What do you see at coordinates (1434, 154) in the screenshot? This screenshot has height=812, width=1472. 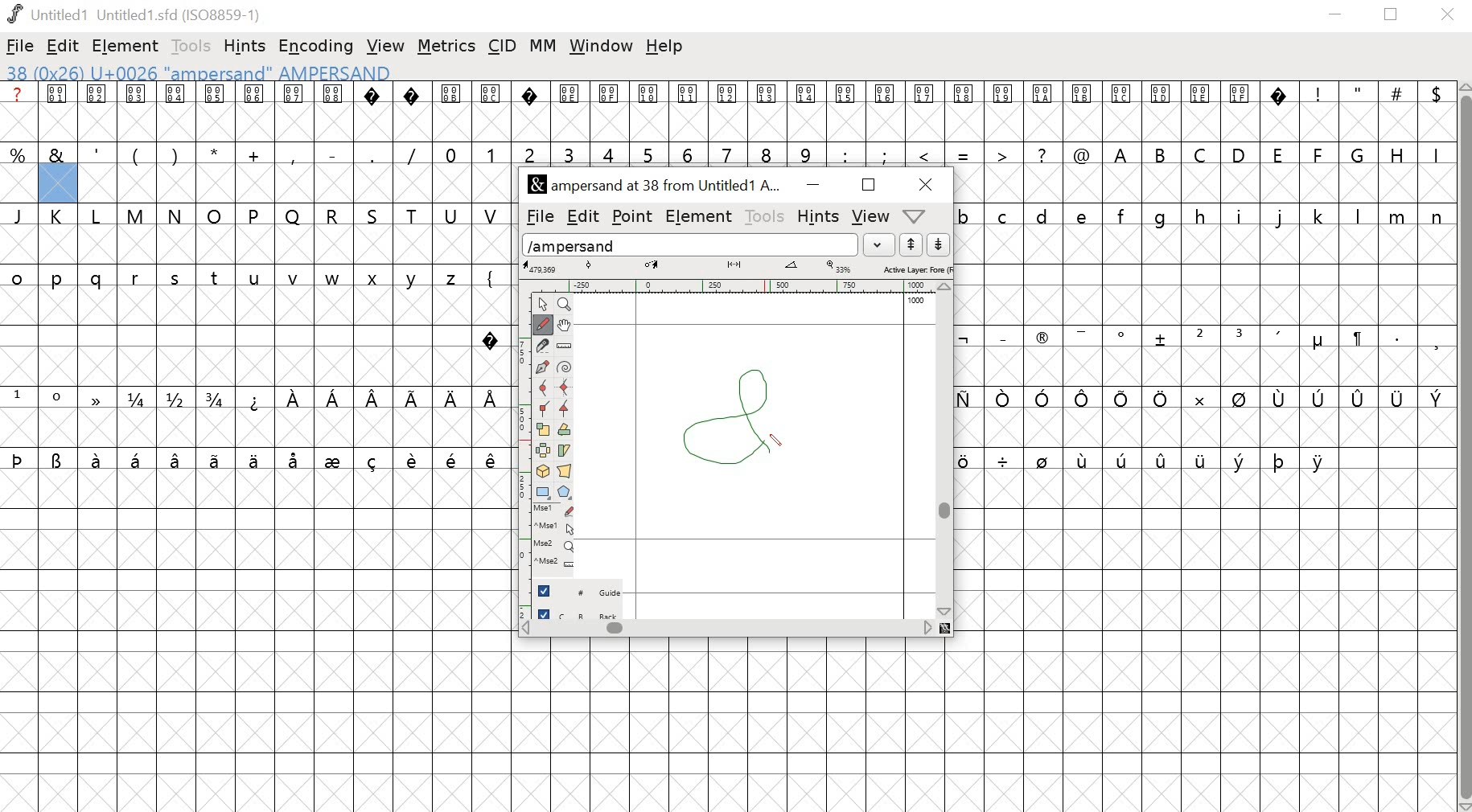 I see `I` at bounding box center [1434, 154].